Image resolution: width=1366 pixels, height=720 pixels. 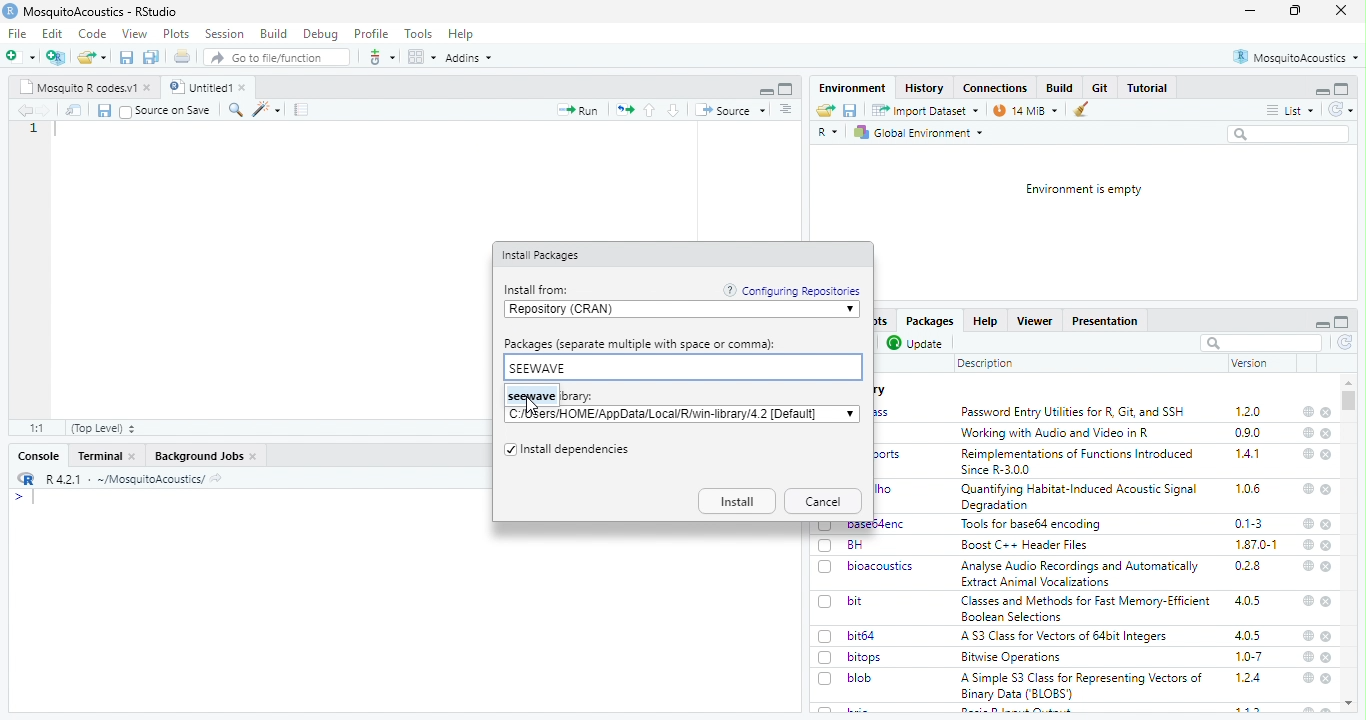 I want to click on 1870-1, so click(x=1257, y=545).